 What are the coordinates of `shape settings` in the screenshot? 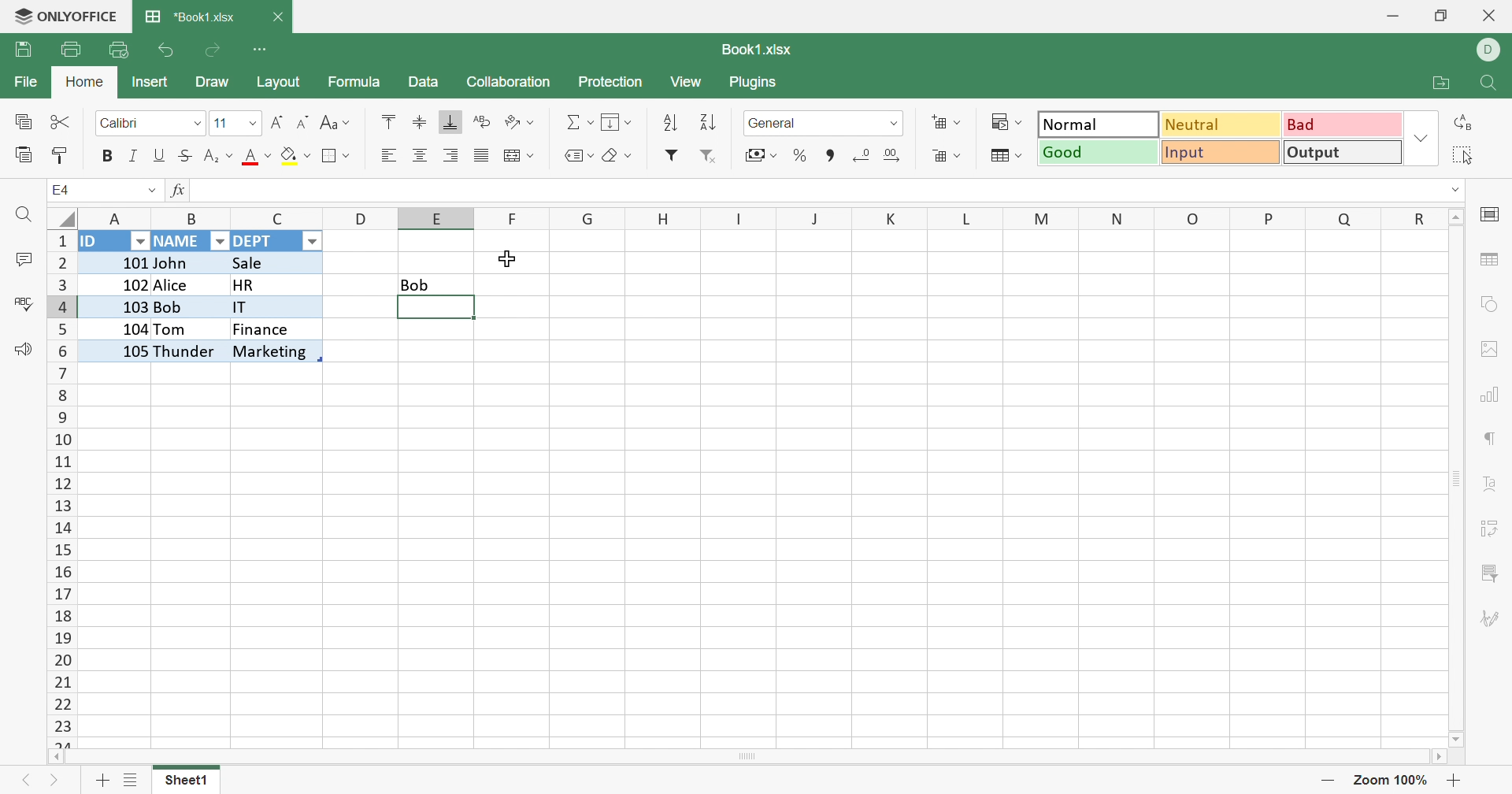 It's located at (1488, 304).